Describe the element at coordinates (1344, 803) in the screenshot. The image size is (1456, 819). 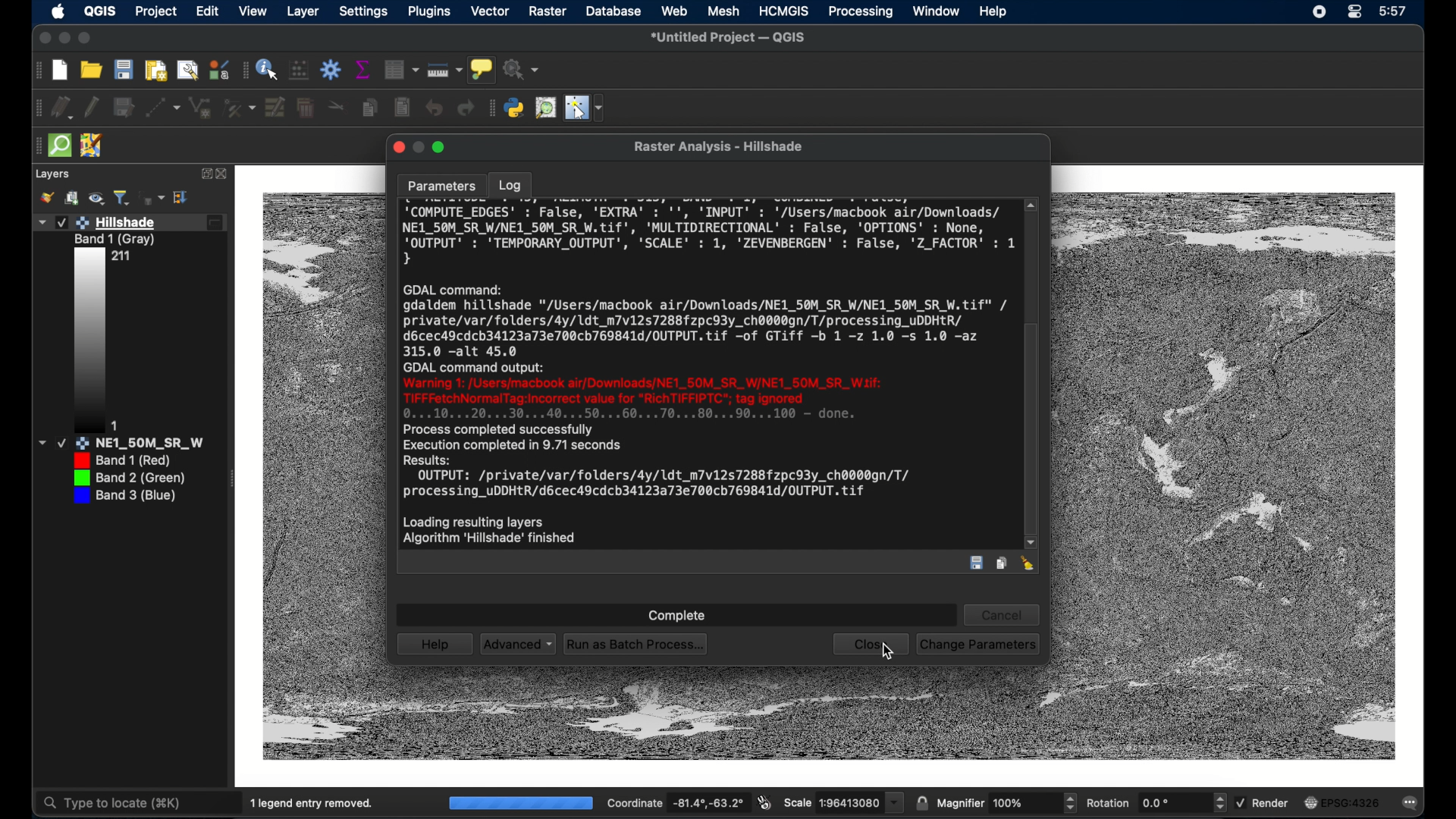
I see `current crs` at that location.